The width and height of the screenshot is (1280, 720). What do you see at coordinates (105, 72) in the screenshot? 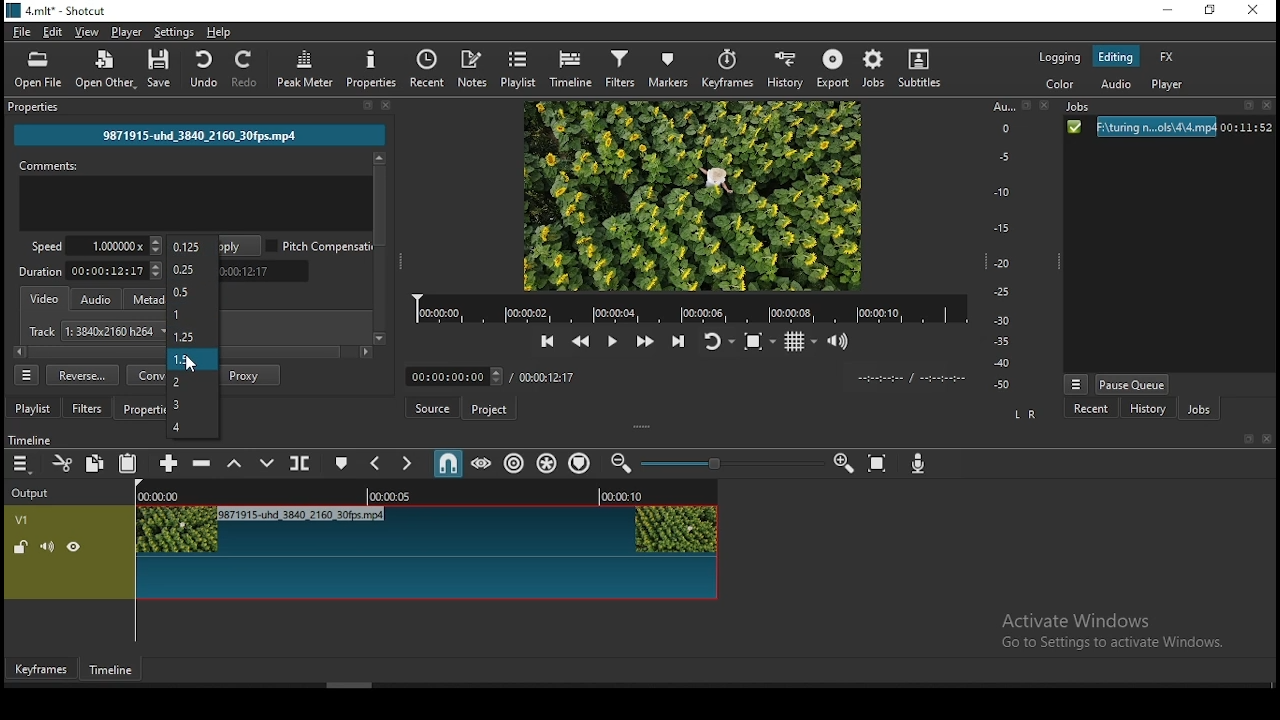
I see `open other` at bounding box center [105, 72].